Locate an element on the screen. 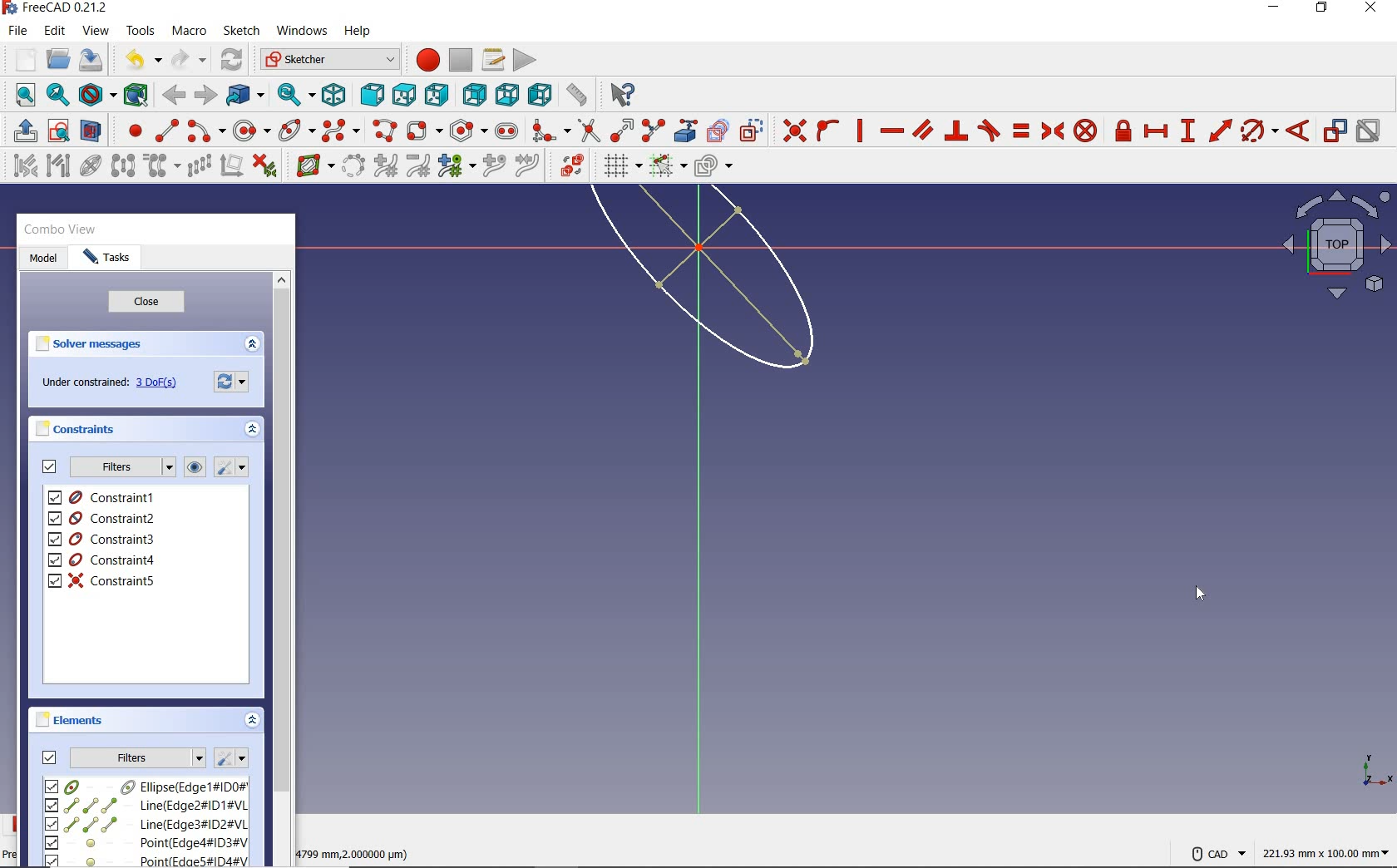  clone is located at coordinates (160, 166).